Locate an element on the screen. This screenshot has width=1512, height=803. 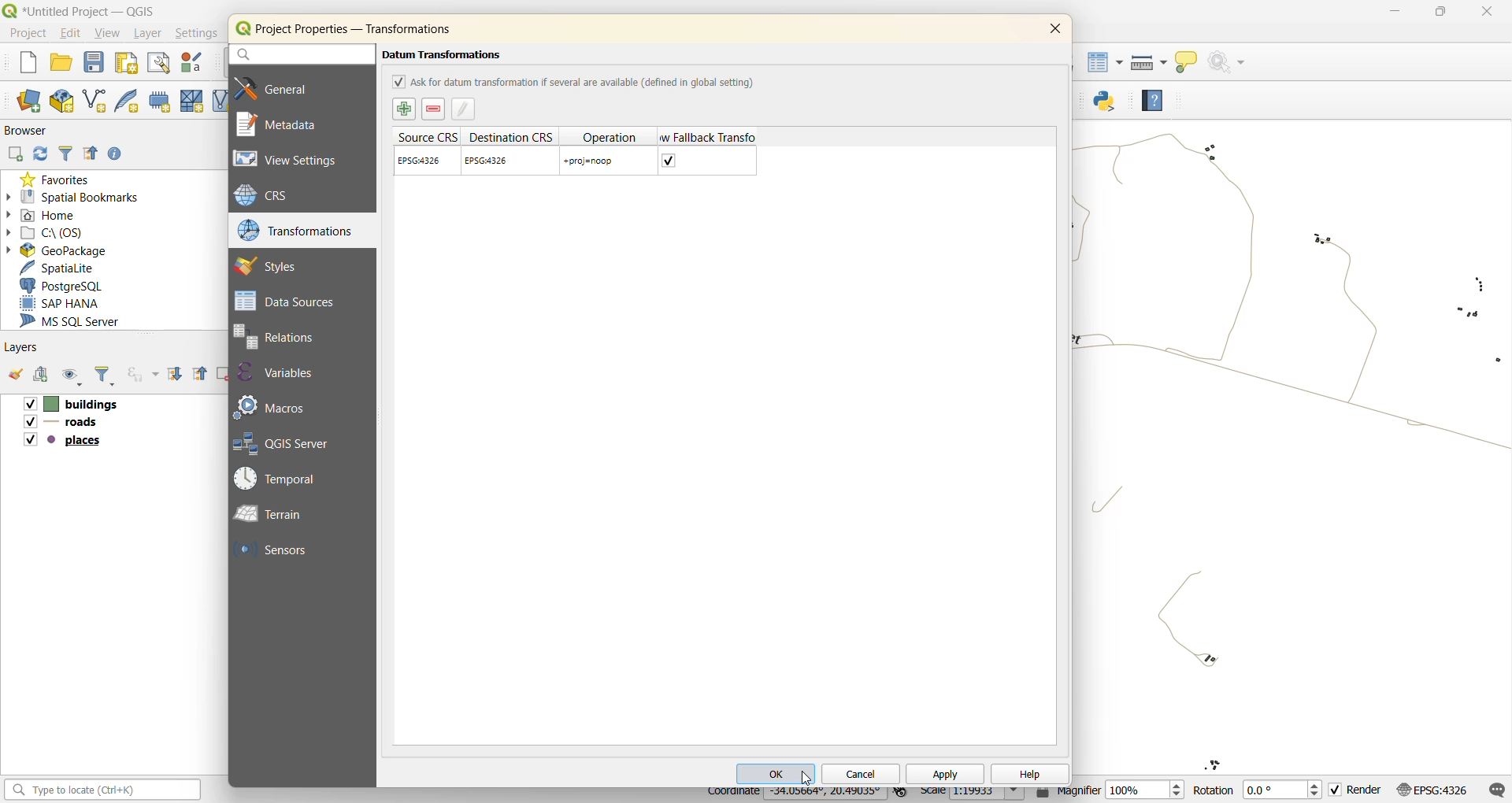
favorites is located at coordinates (56, 176).